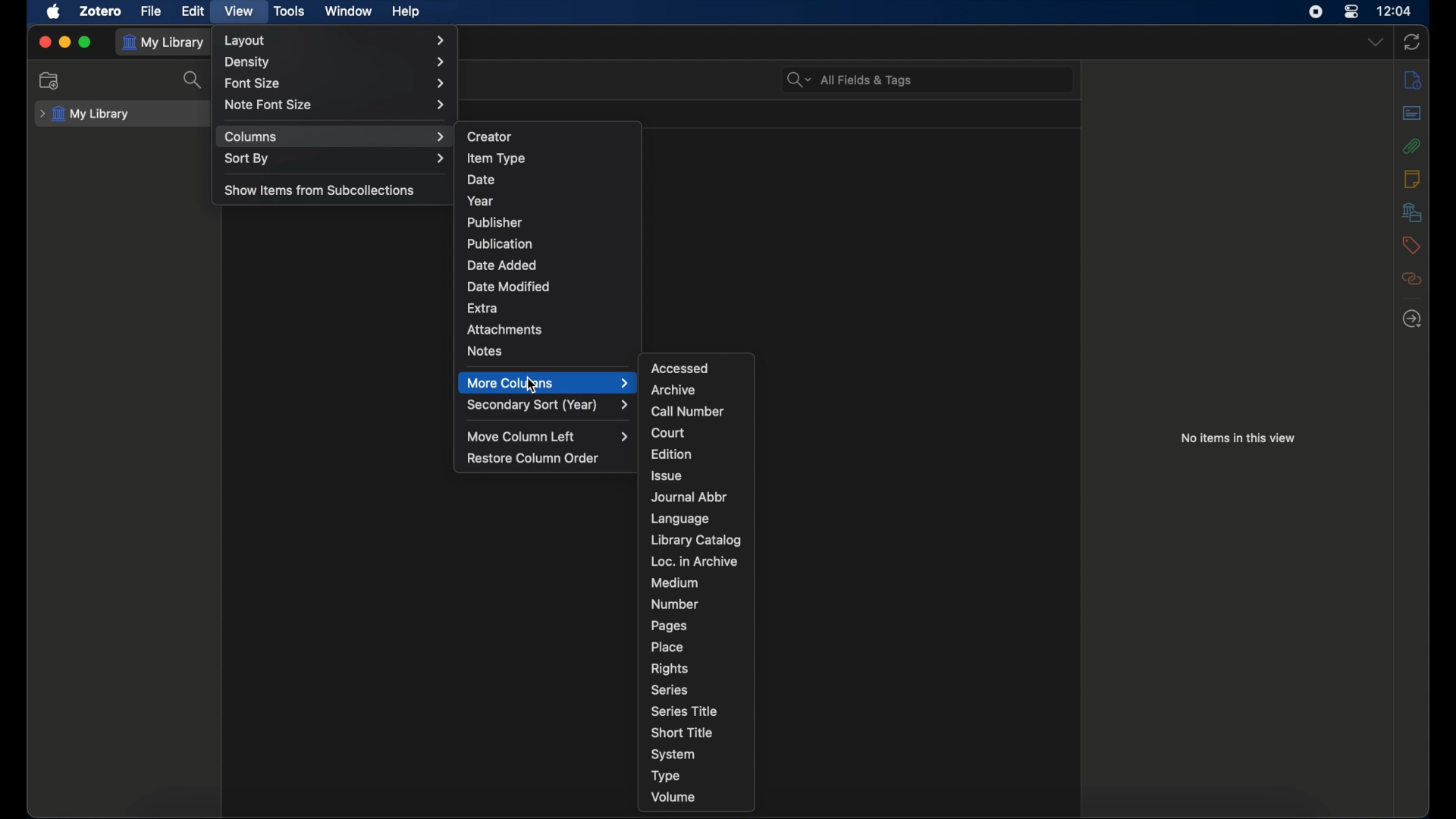  Describe the element at coordinates (335, 136) in the screenshot. I see `columns` at that location.